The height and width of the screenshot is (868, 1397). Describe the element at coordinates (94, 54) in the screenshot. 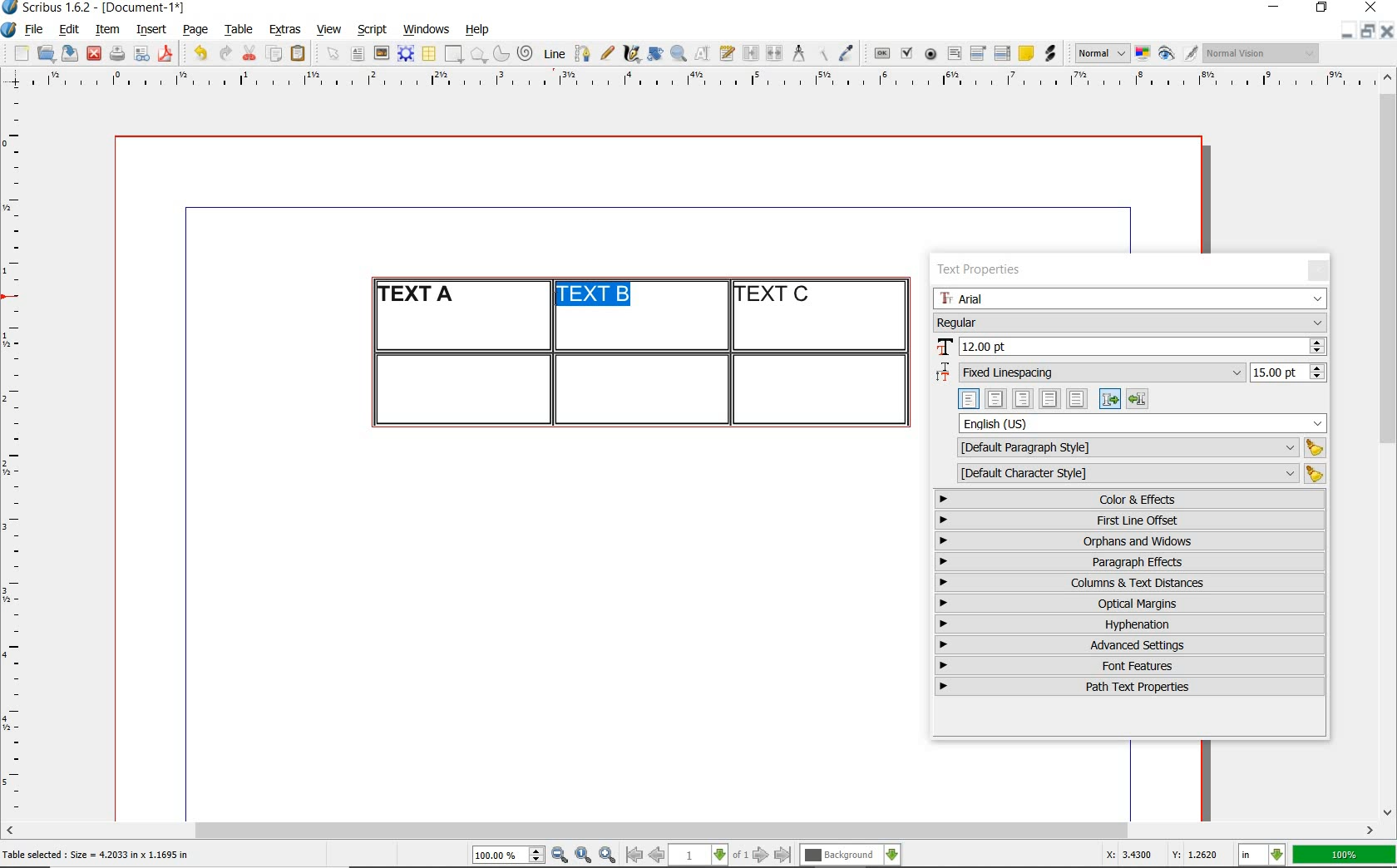

I see `close` at that location.